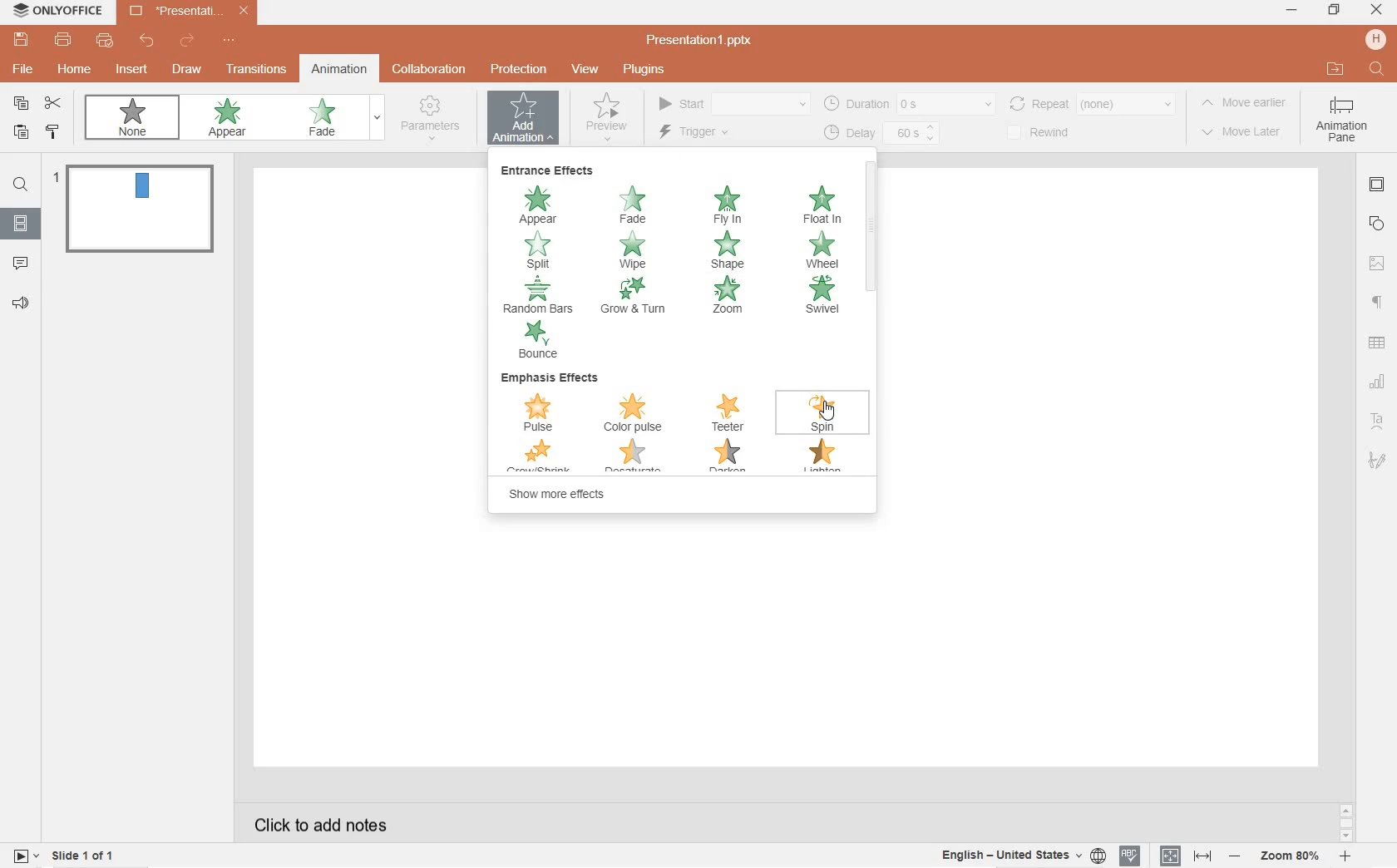 The width and height of the screenshot is (1397, 868). Describe the element at coordinates (733, 297) in the screenshot. I see `zoom` at that location.